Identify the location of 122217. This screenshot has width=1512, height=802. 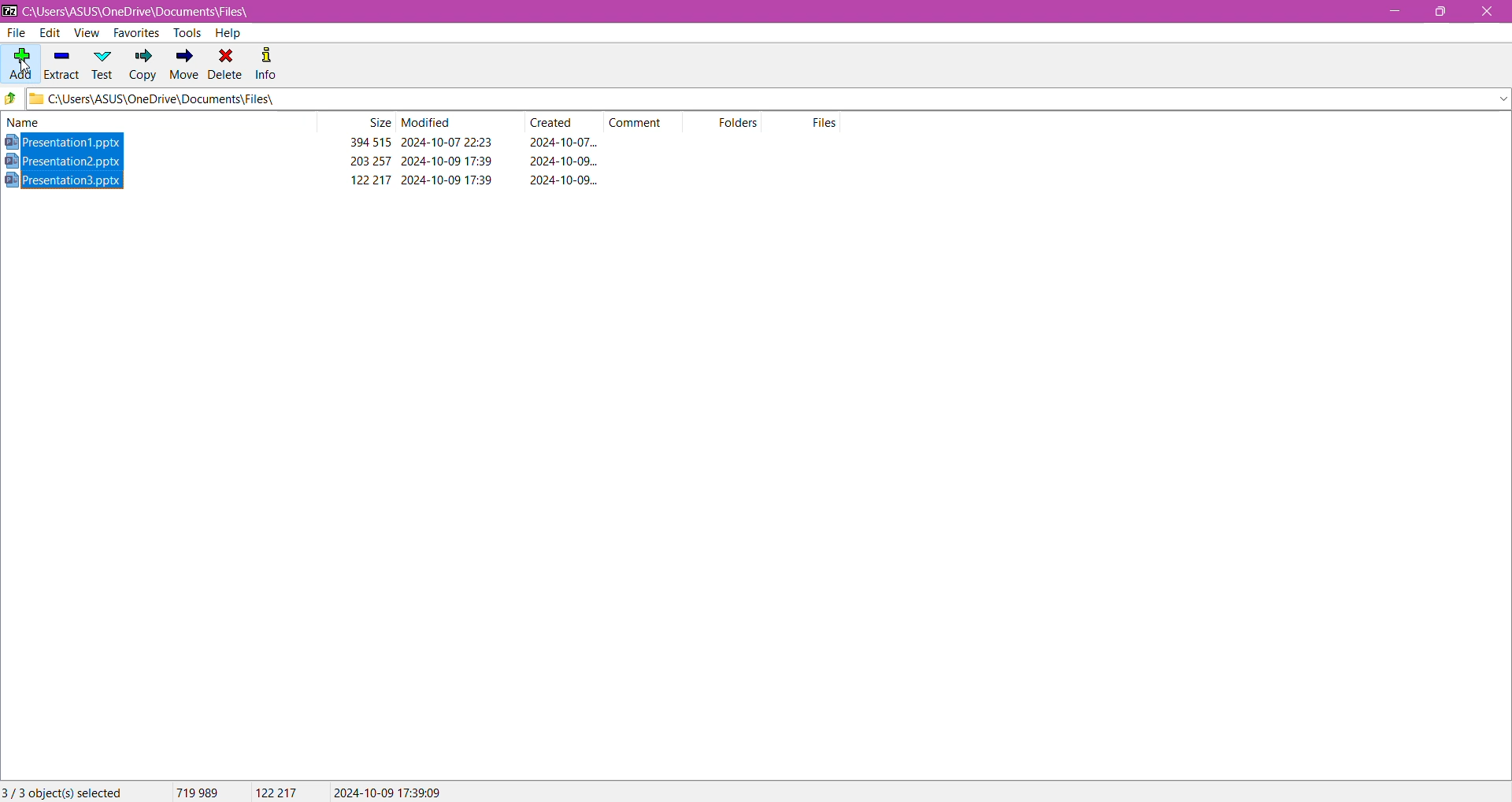
(276, 793).